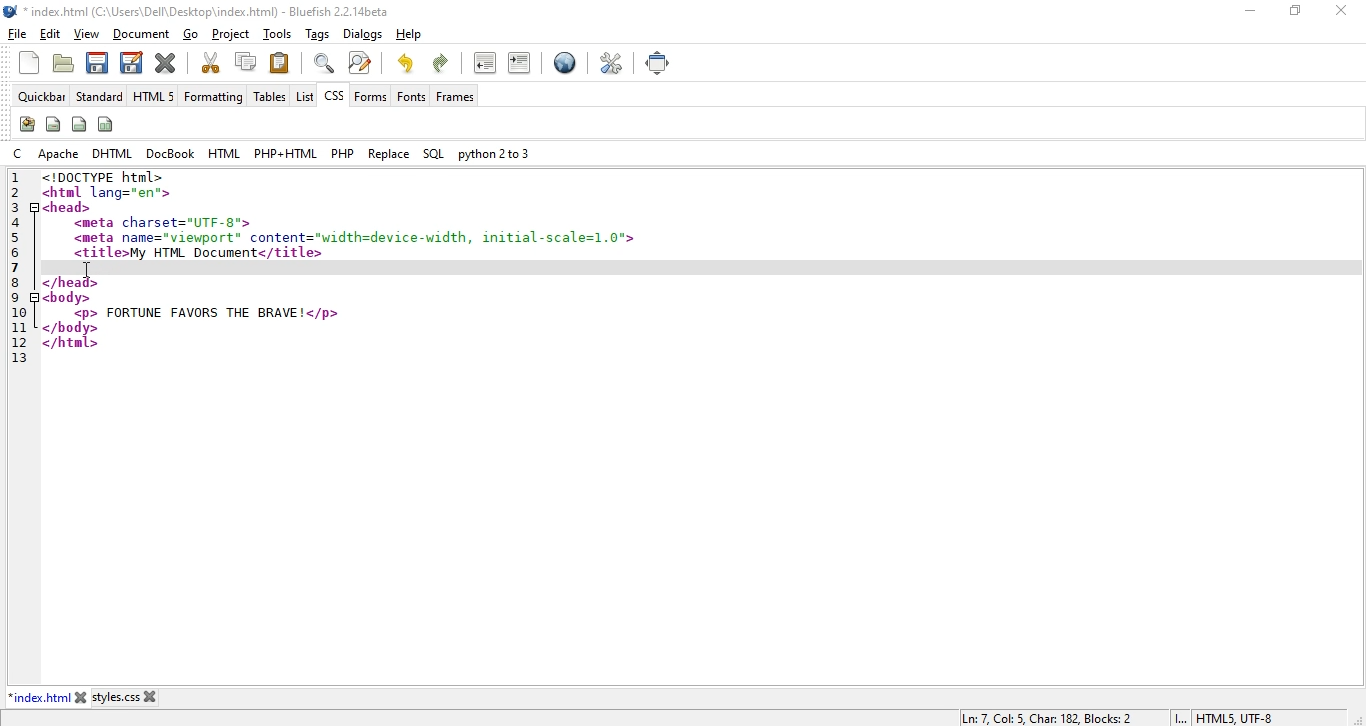  I want to click on pache, so click(59, 153).